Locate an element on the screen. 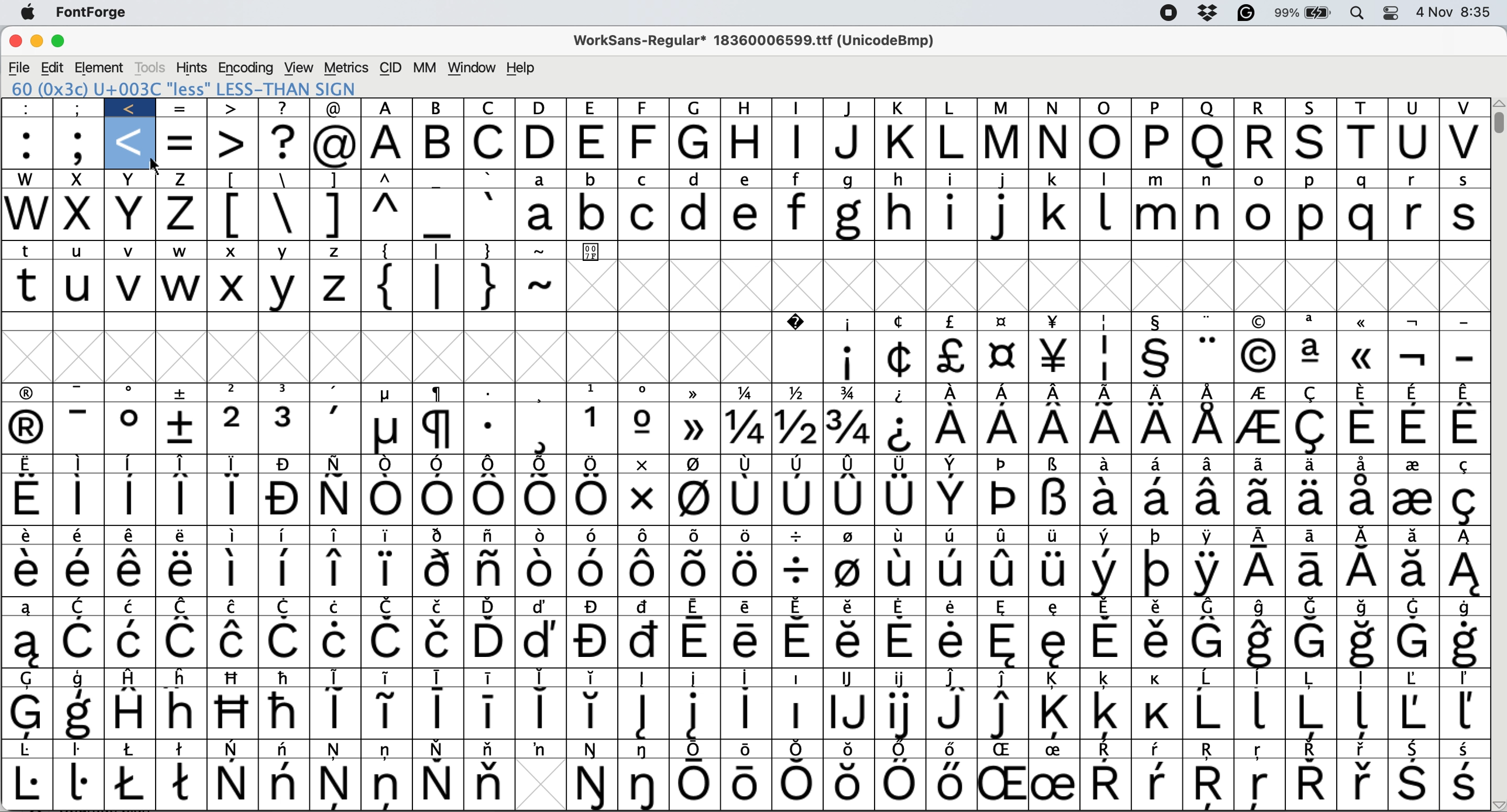 This screenshot has height=812, width=1507. Symbol is located at coordinates (952, 463).